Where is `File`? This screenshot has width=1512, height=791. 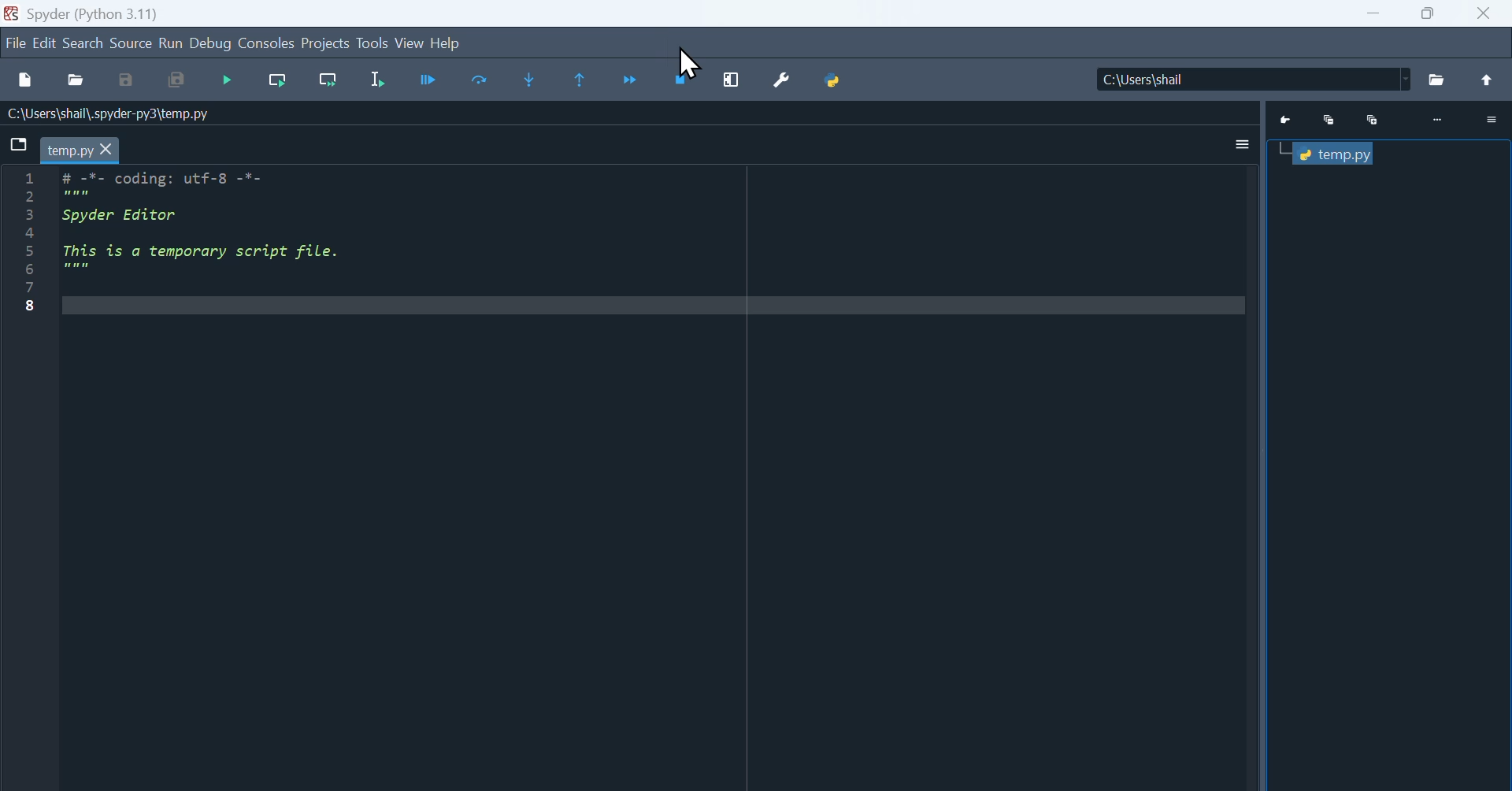 File is located at coordinates (1438, 80).